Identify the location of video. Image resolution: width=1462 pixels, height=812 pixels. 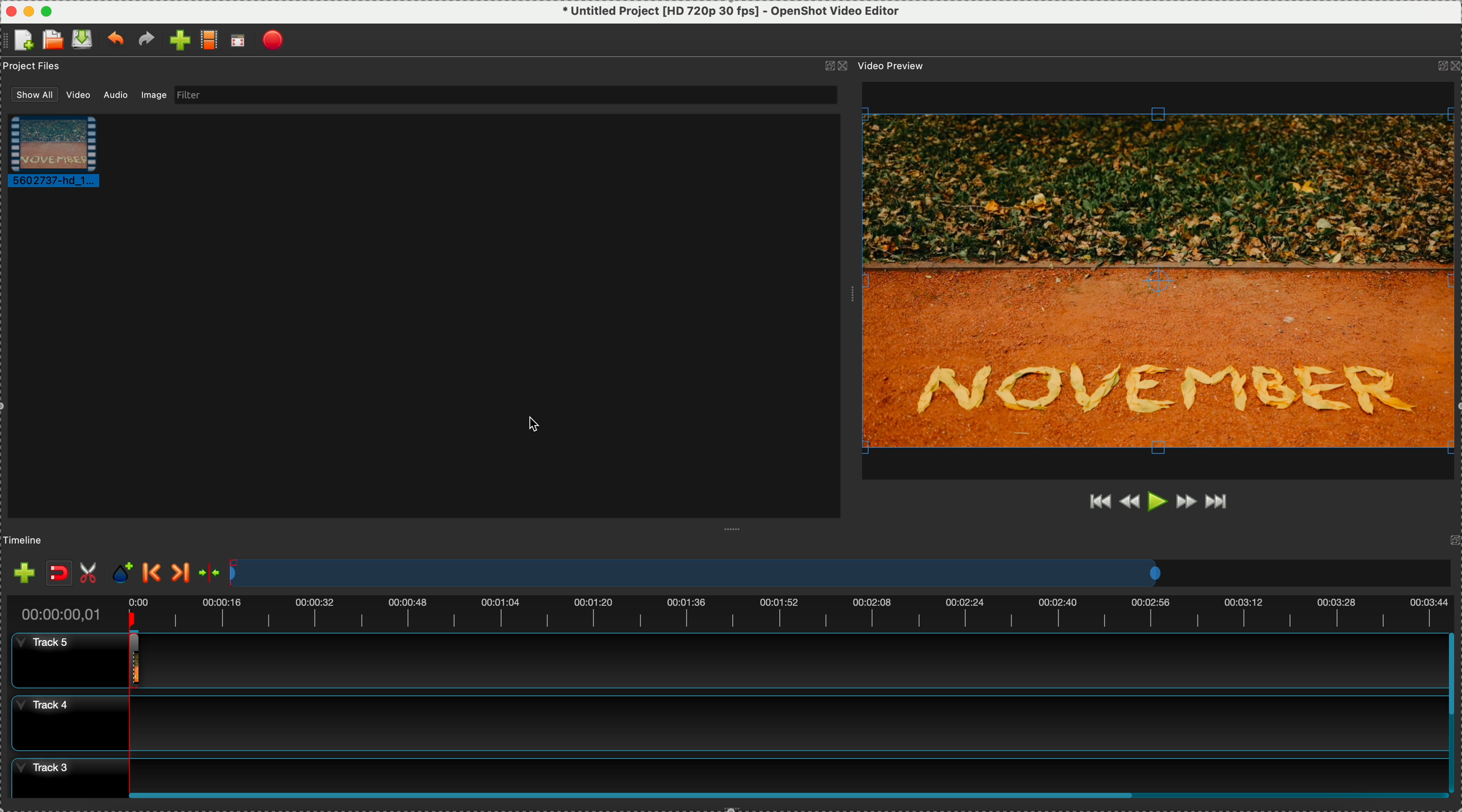
(61, 154).